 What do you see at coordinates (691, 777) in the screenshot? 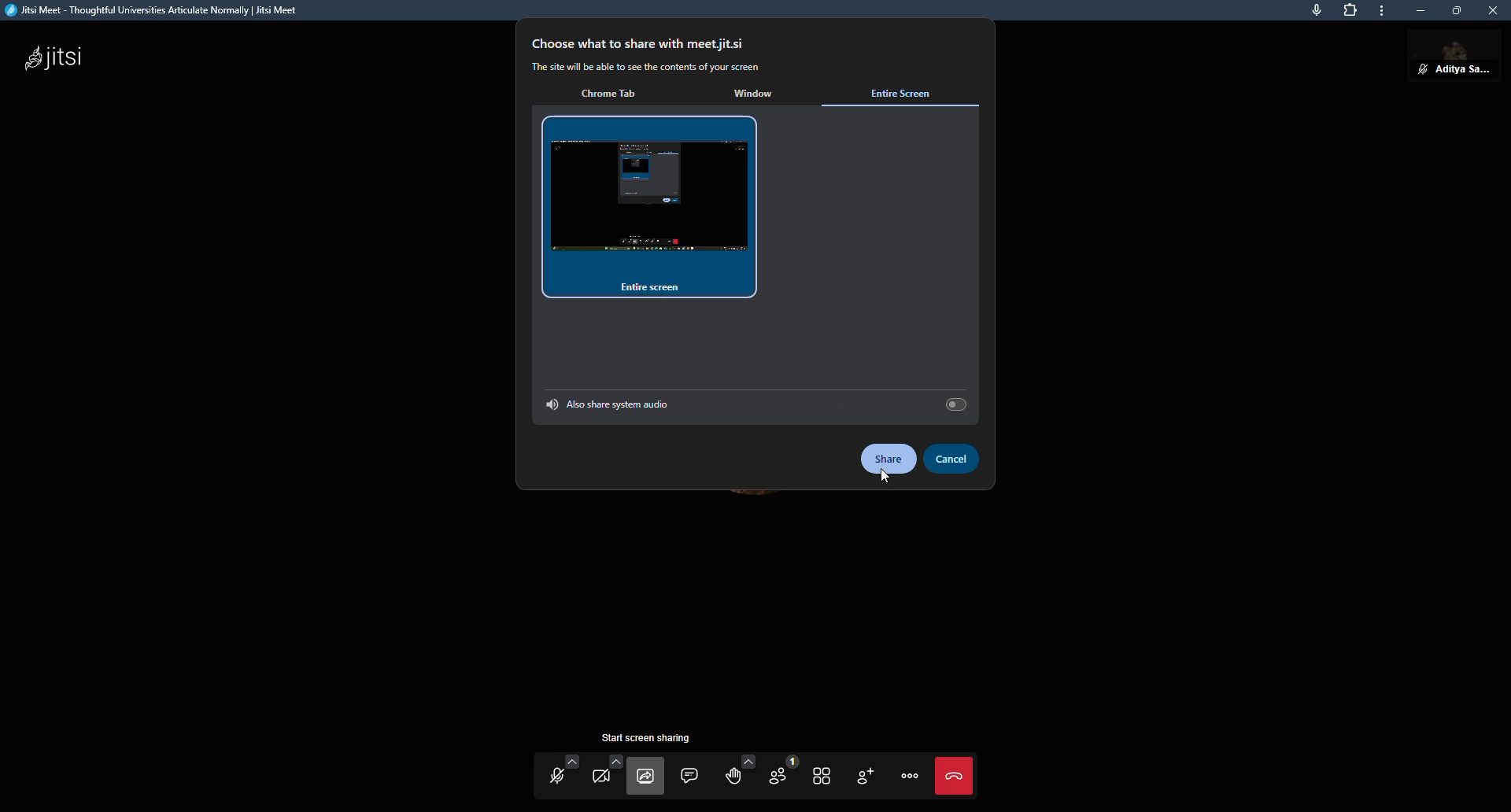
I see `open chat` at bounding box center [691, 777].